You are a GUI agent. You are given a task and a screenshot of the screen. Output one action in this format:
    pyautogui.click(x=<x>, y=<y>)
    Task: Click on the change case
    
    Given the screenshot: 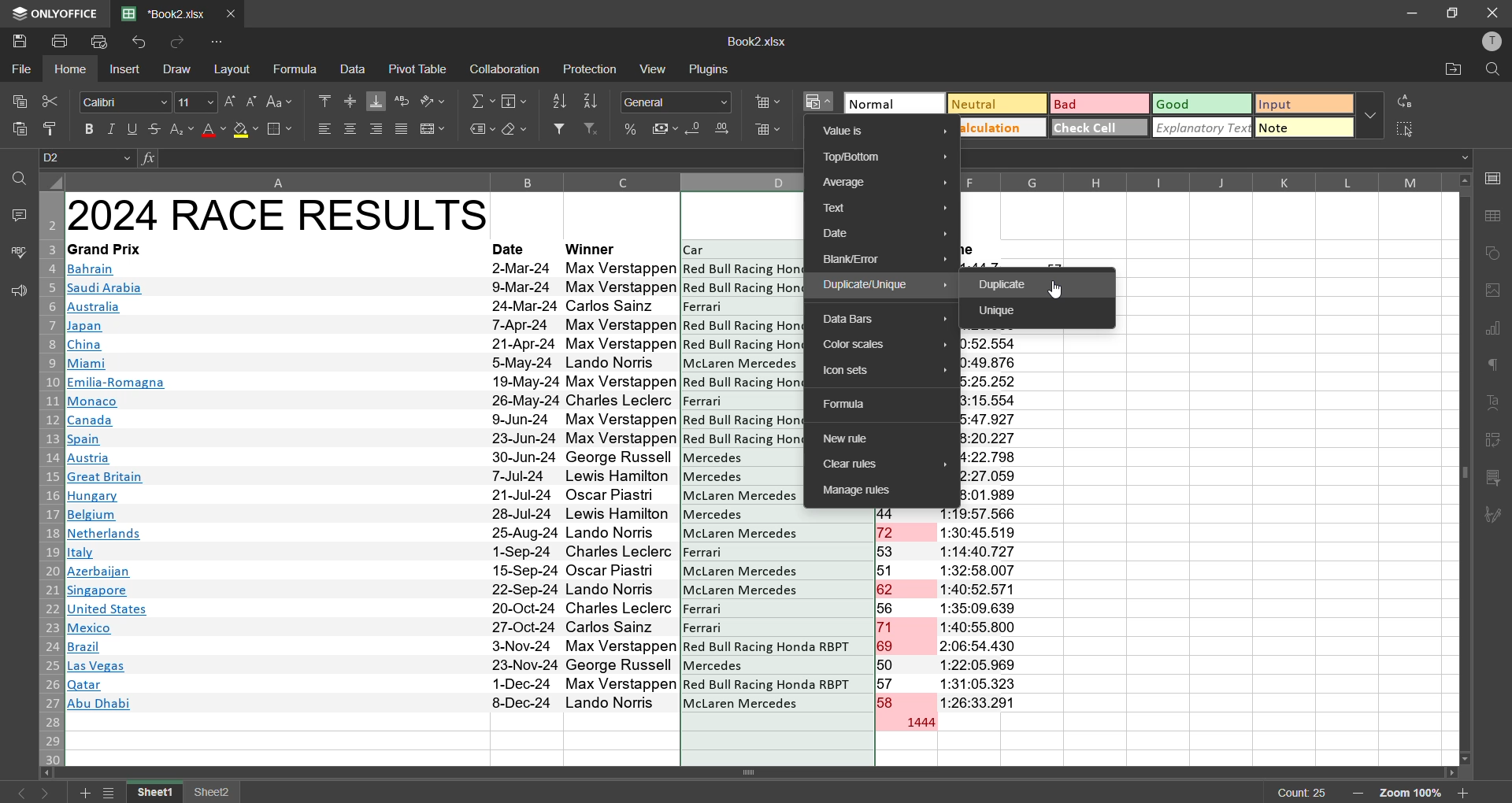 What is the action you would take?
    pyautogui.click(x=283, y=101)
    